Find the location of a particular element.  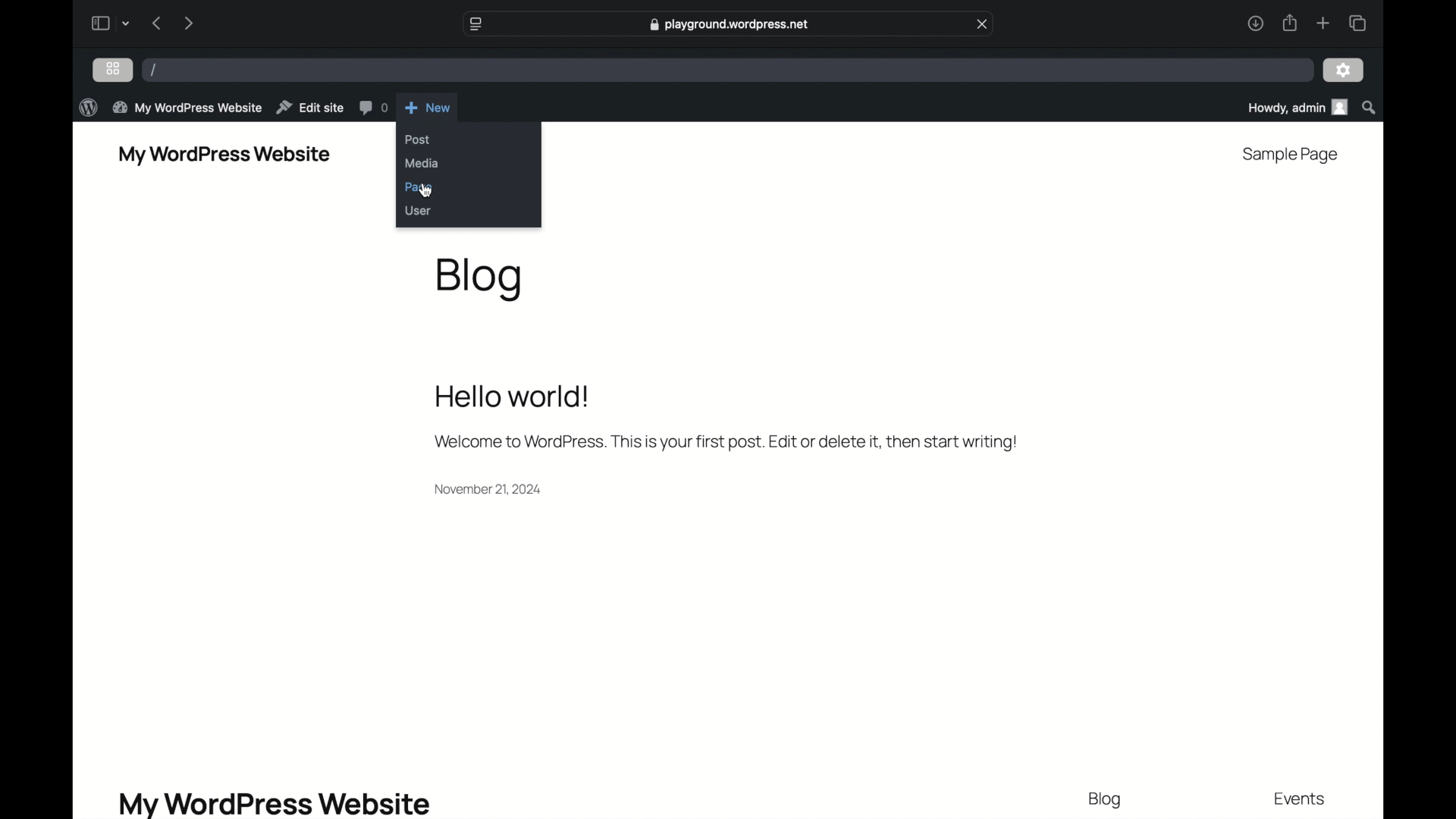

downloads is located at coordinates (1256, 23).